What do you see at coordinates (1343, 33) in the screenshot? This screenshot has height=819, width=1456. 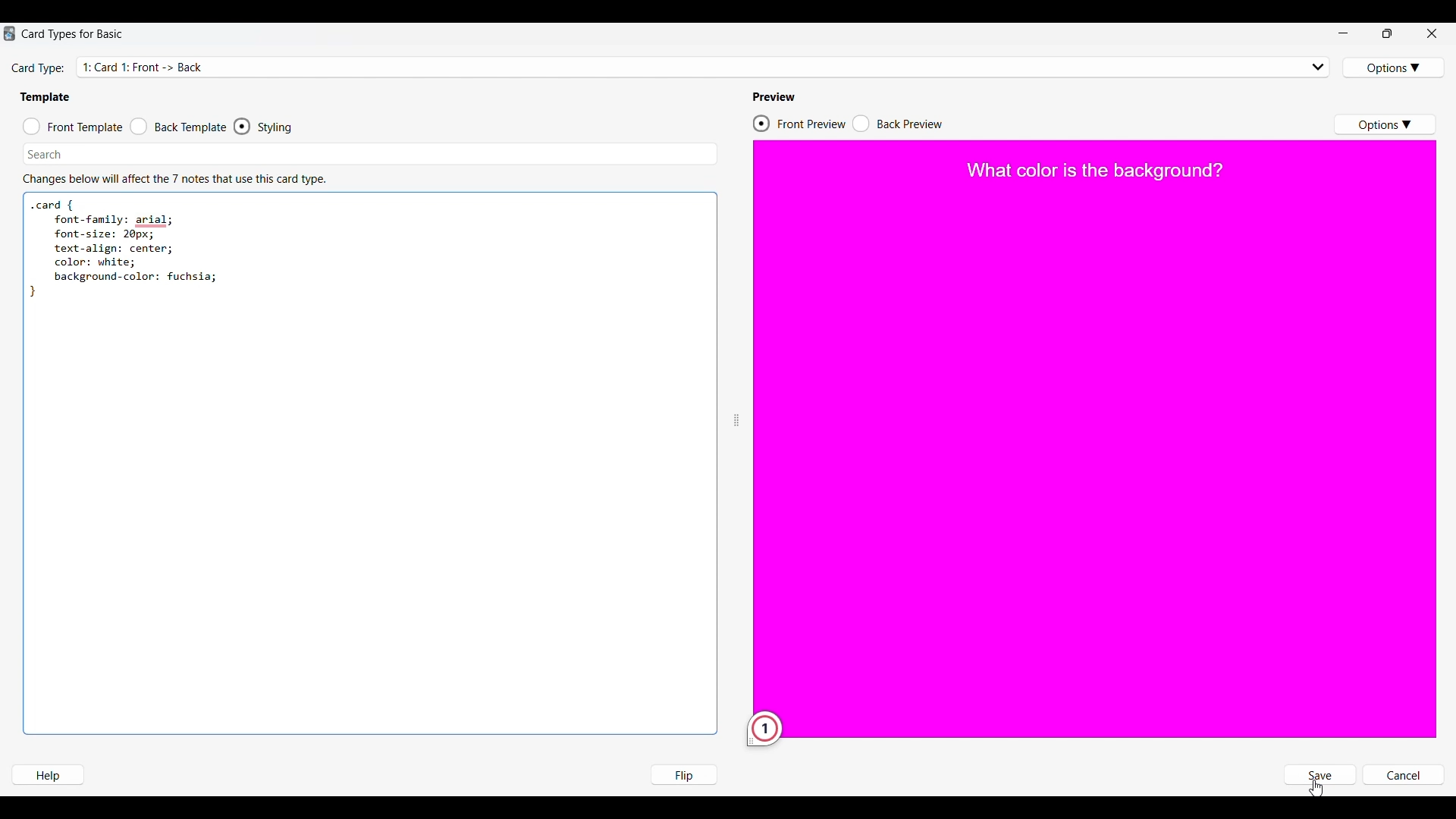 I see `Minimize` at bounding box center [1343, 33].